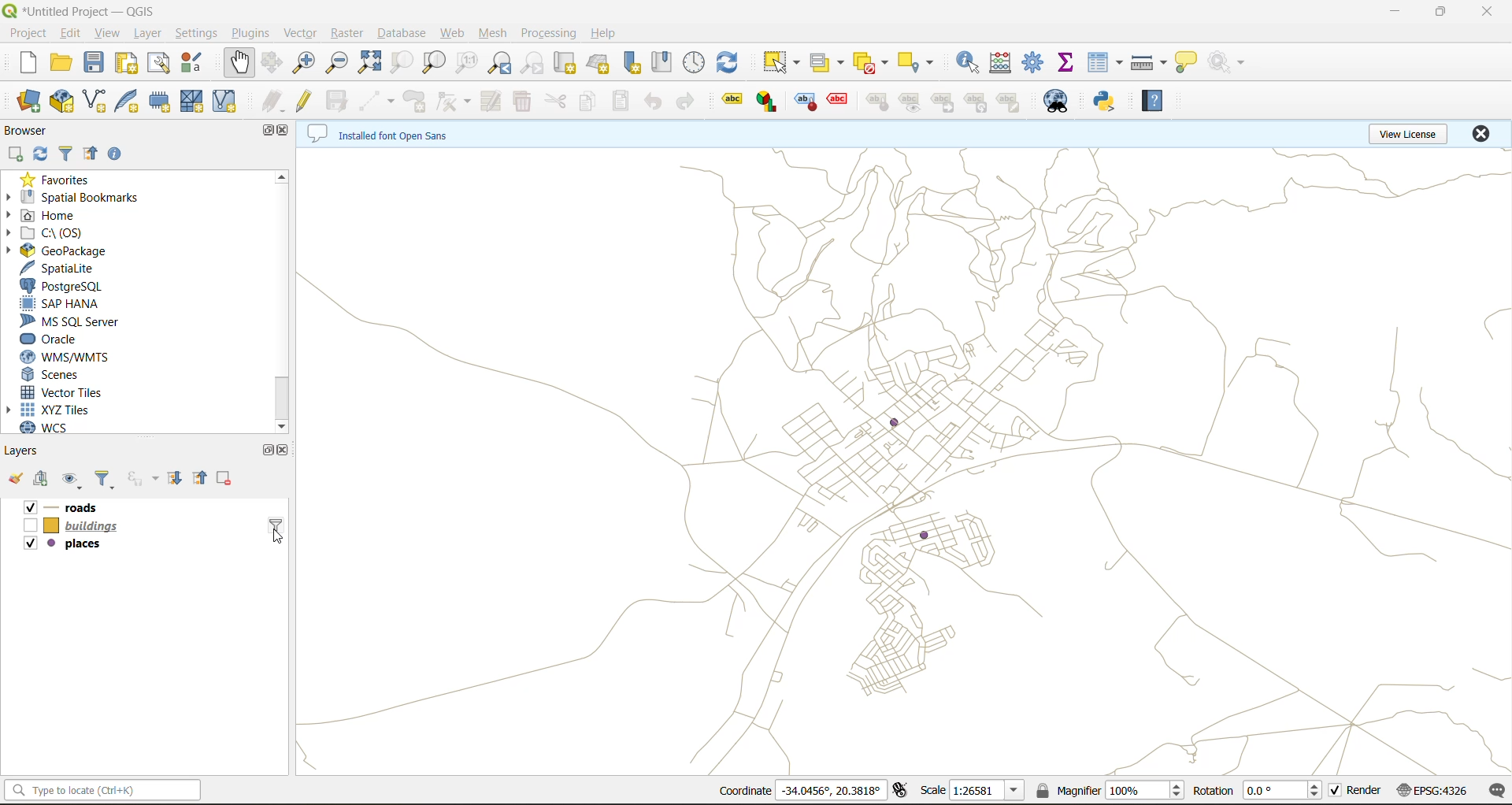 This screenshot has width=1512, height=805. I want to click on refresh, so click(731, 61).